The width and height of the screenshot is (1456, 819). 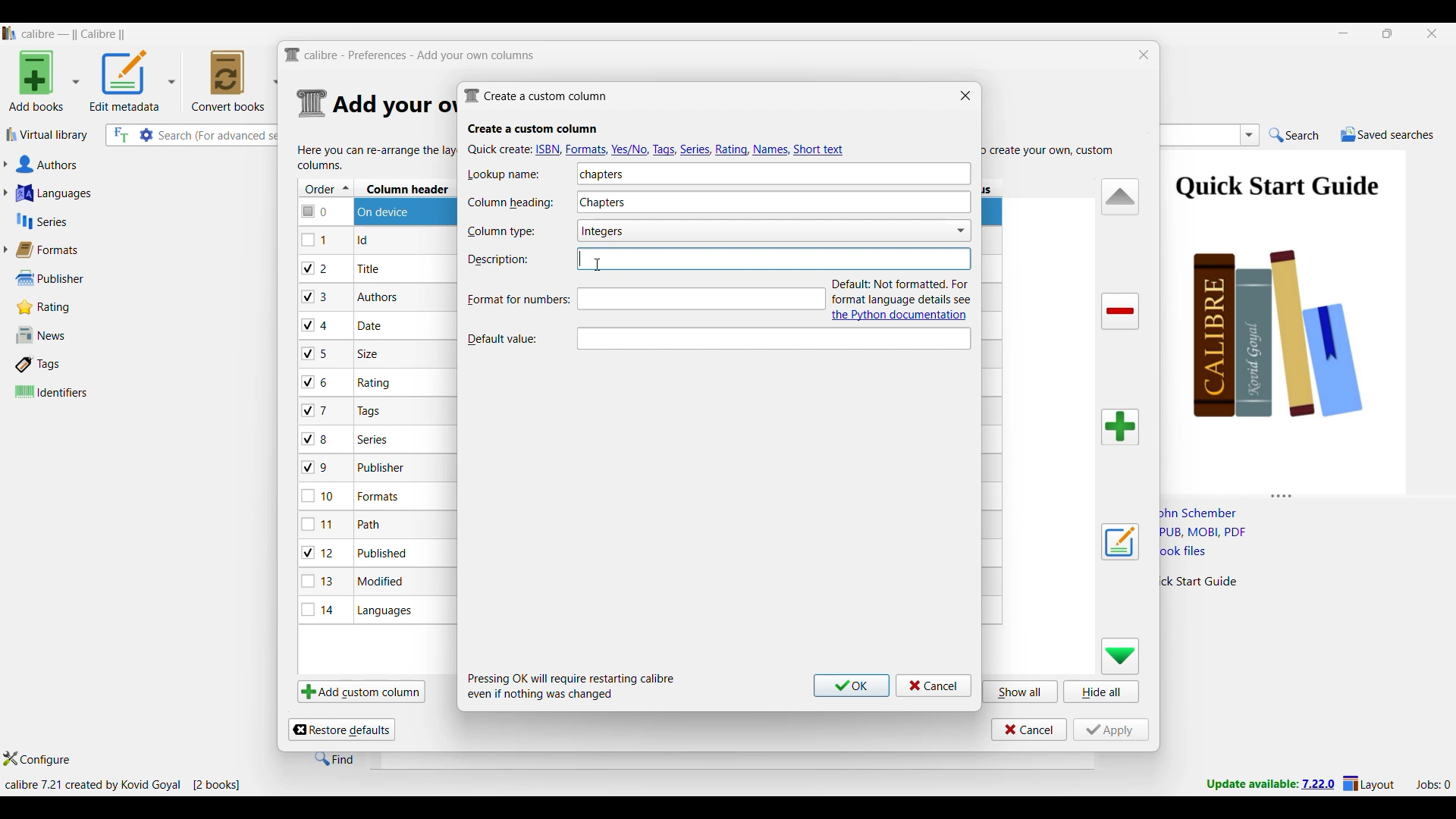 What do you see at coordinates (316, 297) in the screenshot?
I see `checkbox - 3` at bounding box center [316, 297].